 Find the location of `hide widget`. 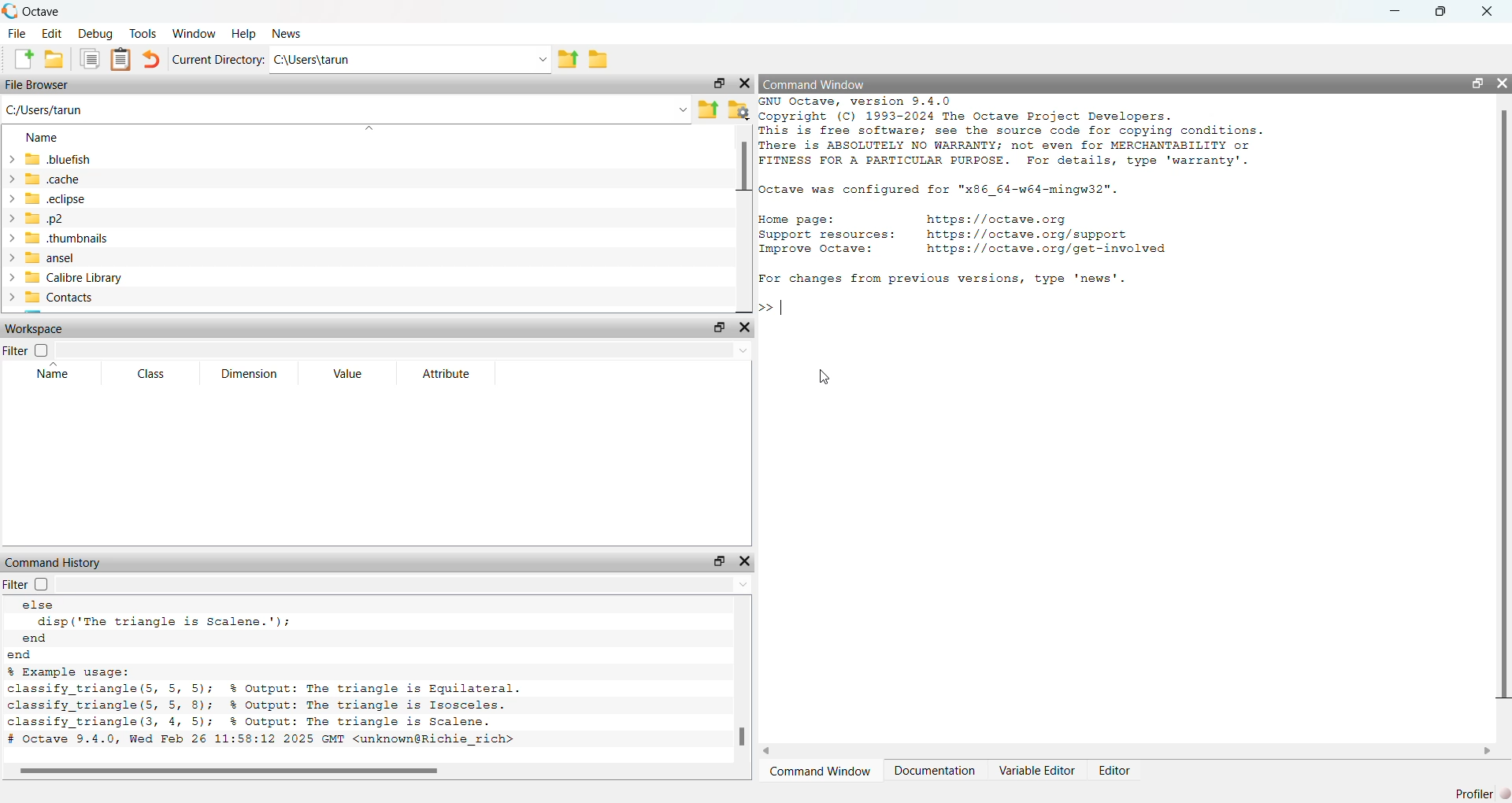

hide widget is located at coordinates (1503, 82).